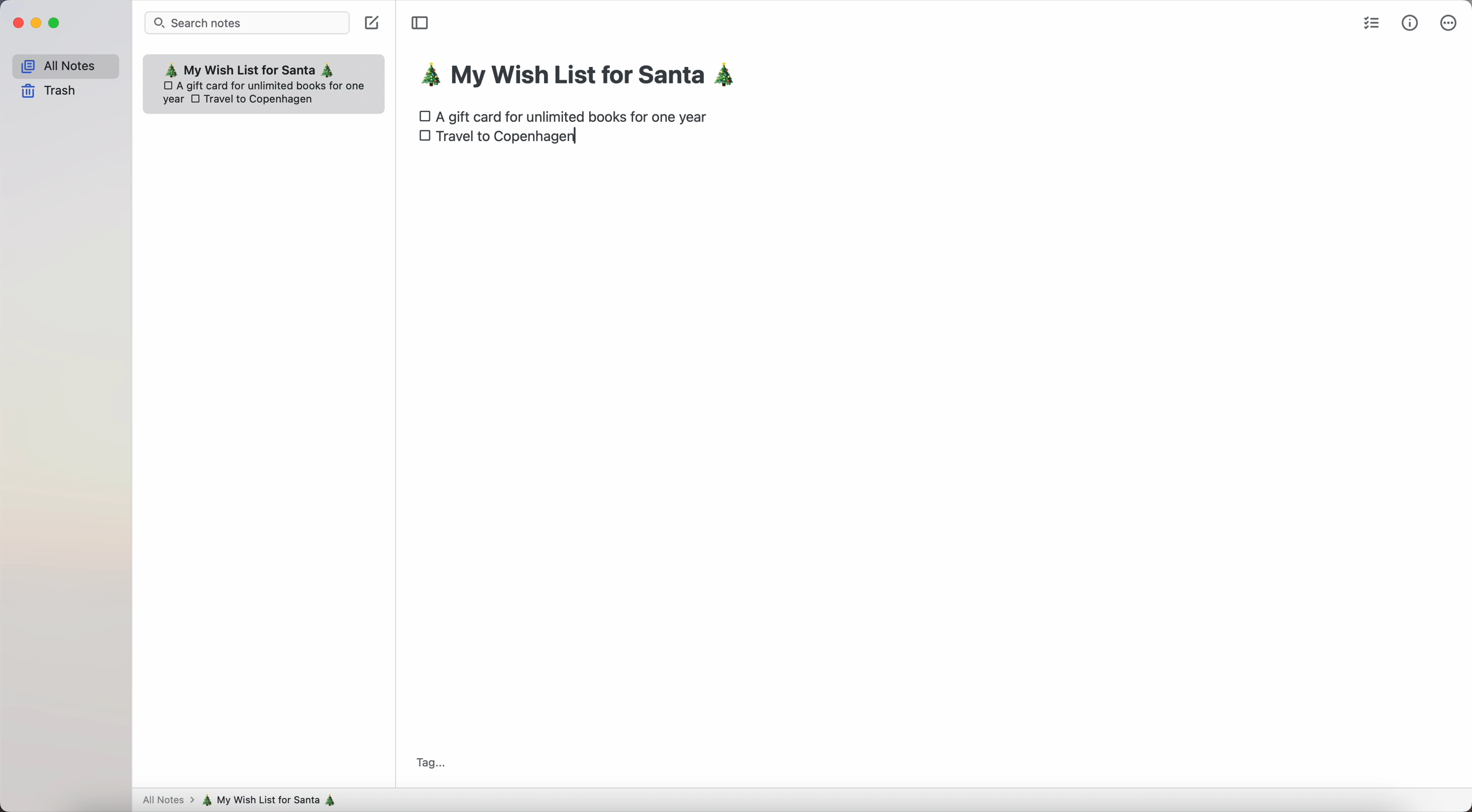  Describe the element at coordinates (166, 801) in the screenshot. I see `all notes` at that location.